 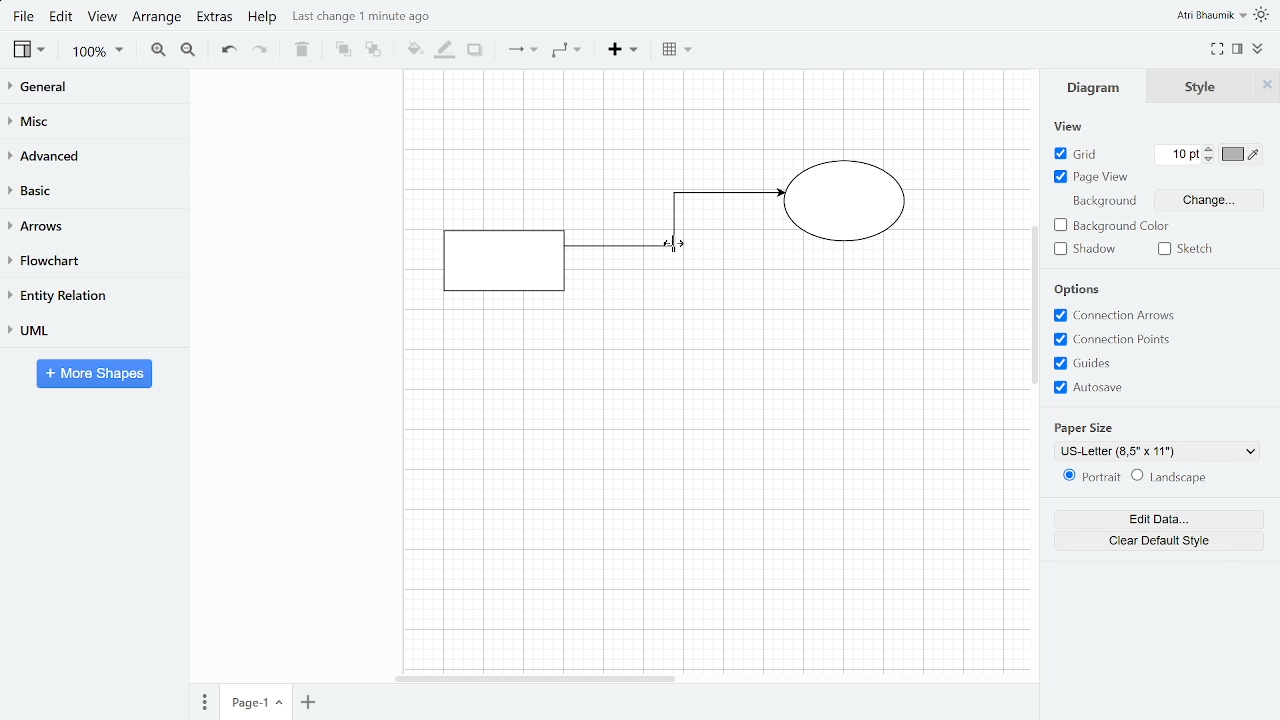 What do you see at coordinates (370, 17) in the screenshot?
I see `Saving information "Last change 1 minute ago"` at bounding box center [370, 17].